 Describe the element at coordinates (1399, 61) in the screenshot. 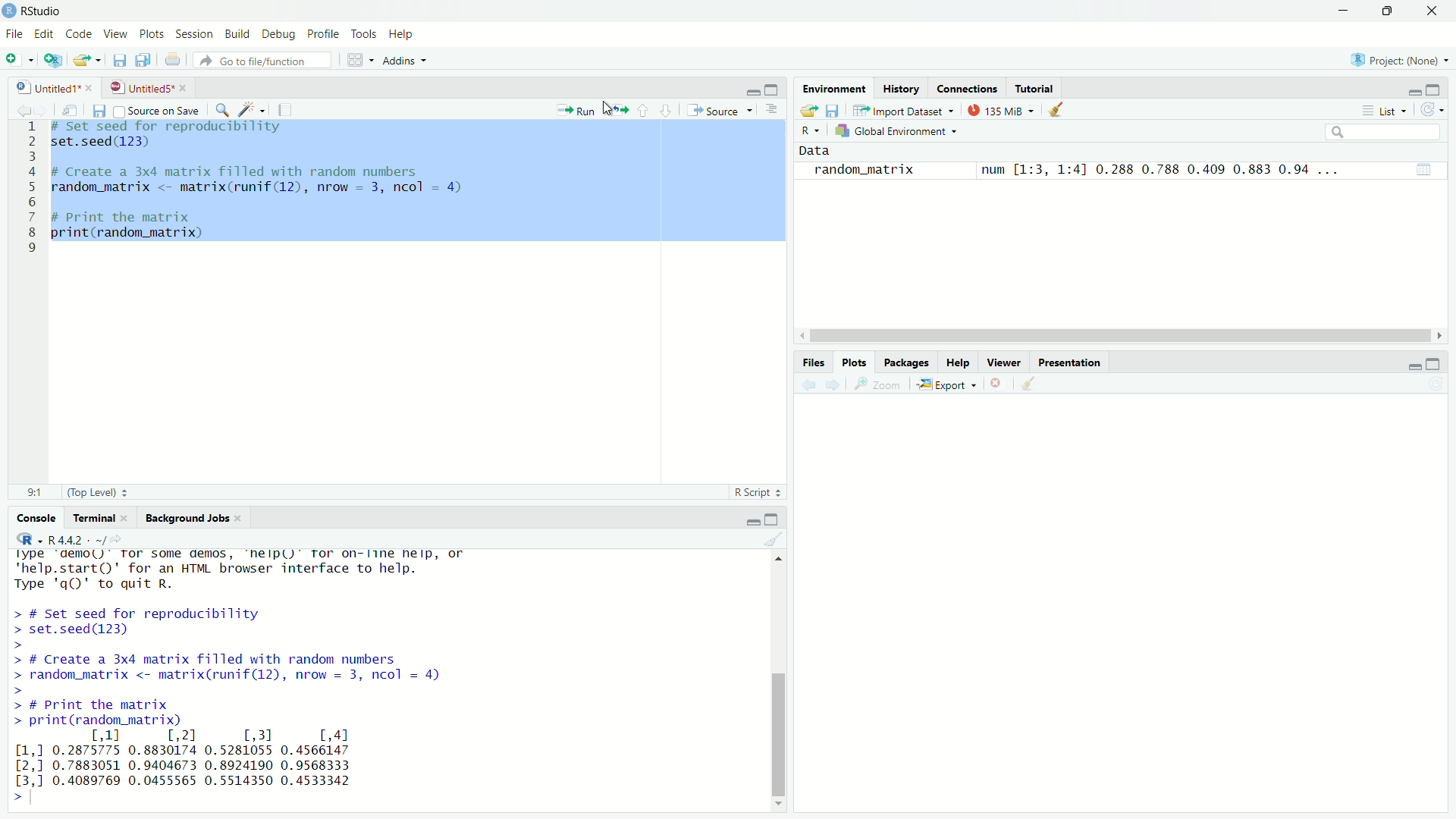

I see `Project: (None) ~` at that location.